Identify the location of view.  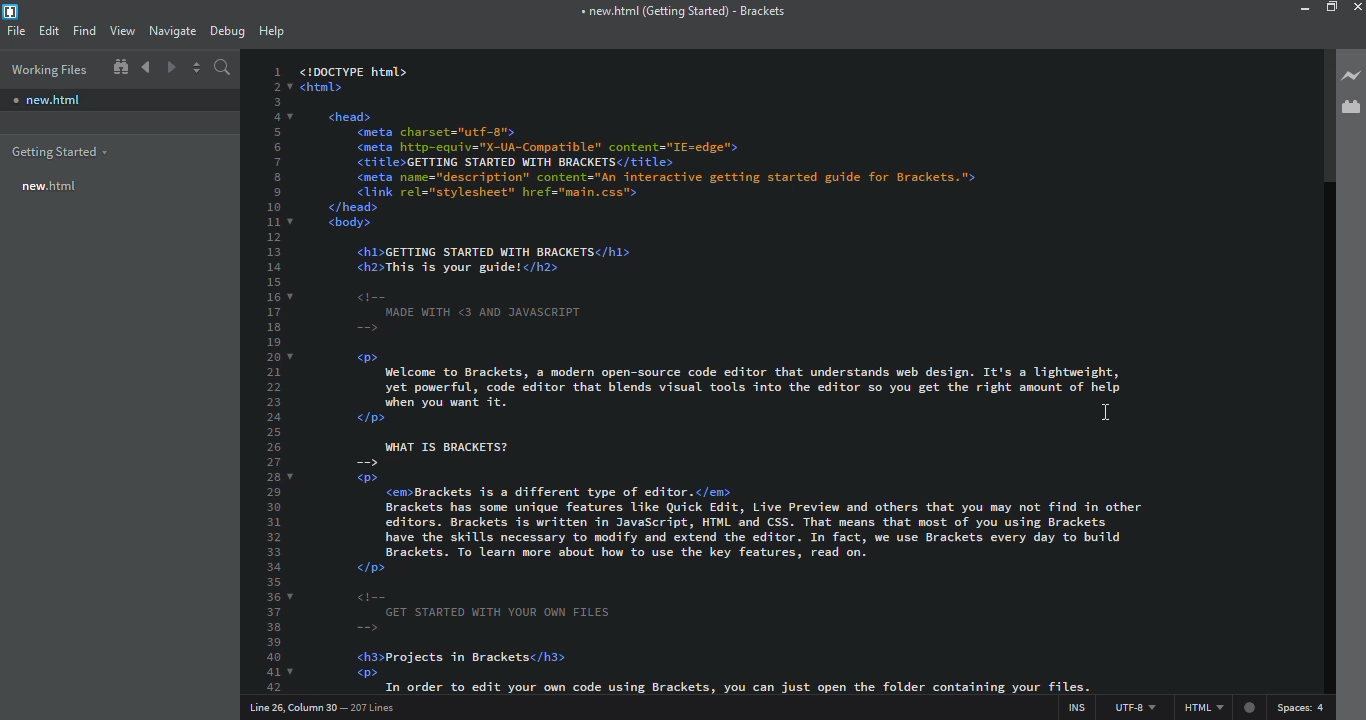
(122, 30).